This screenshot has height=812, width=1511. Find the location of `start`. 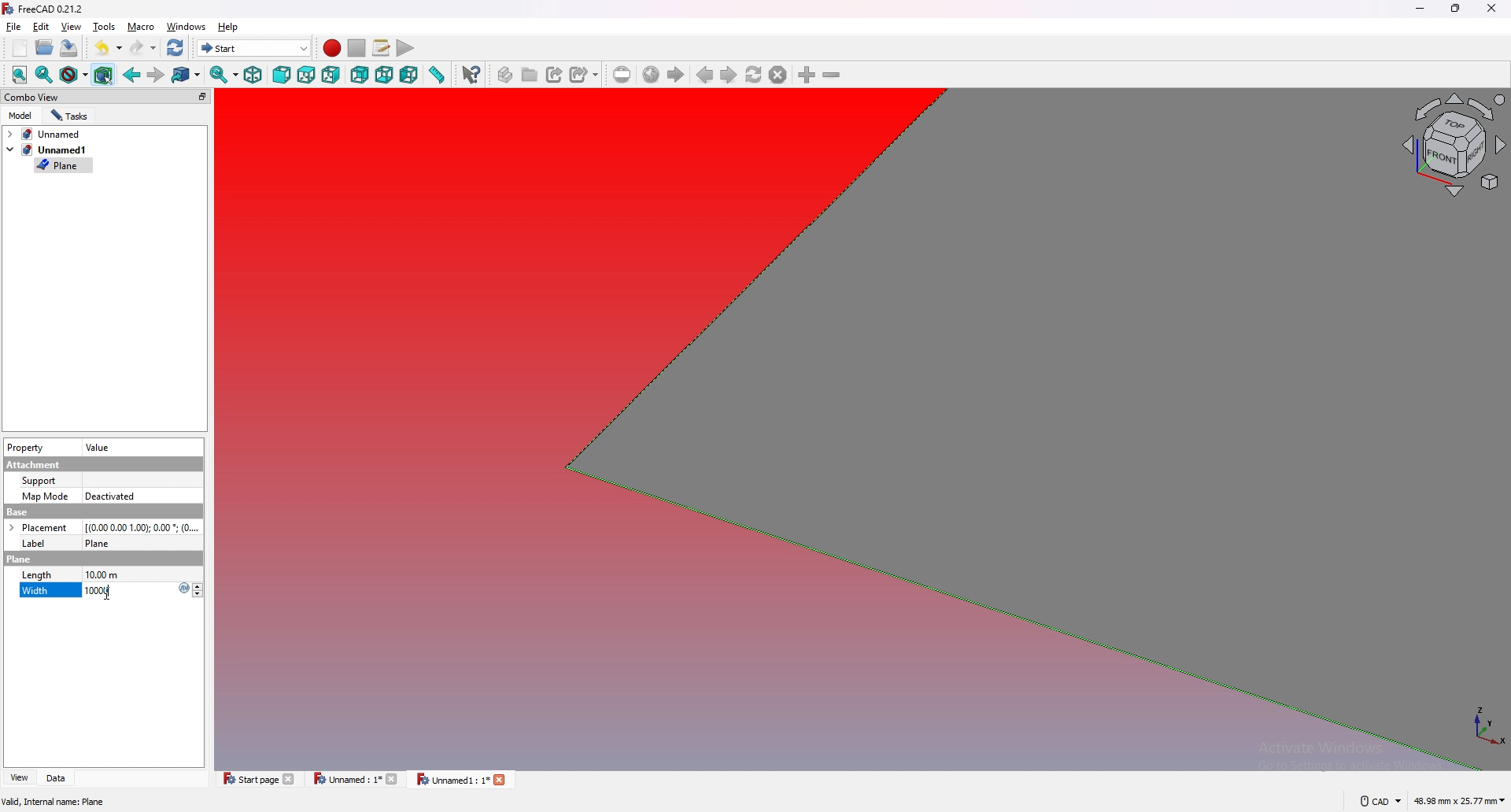

start is located at coordinates (254, 47).